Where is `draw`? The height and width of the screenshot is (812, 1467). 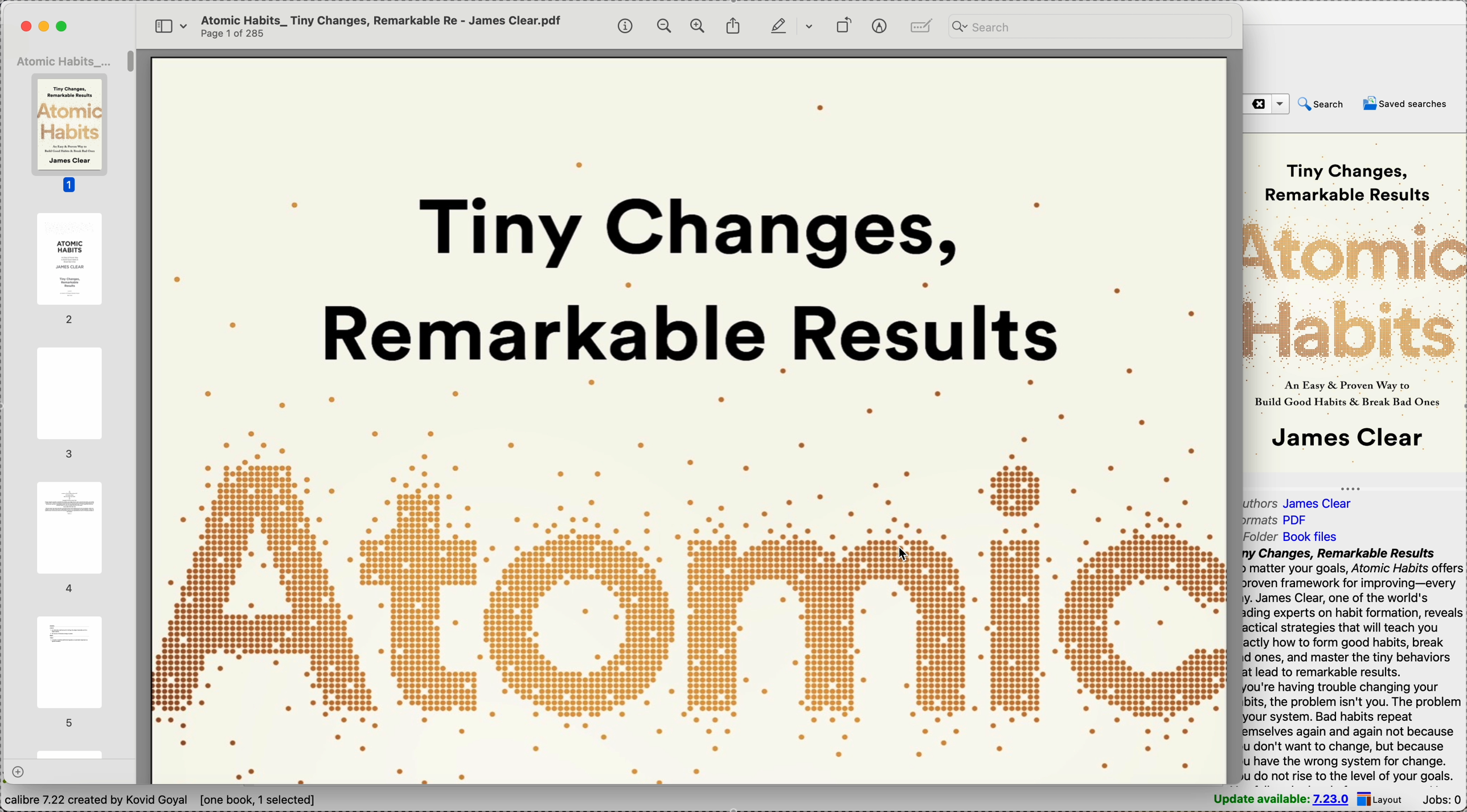 draw is located at coordinates (879, 26).